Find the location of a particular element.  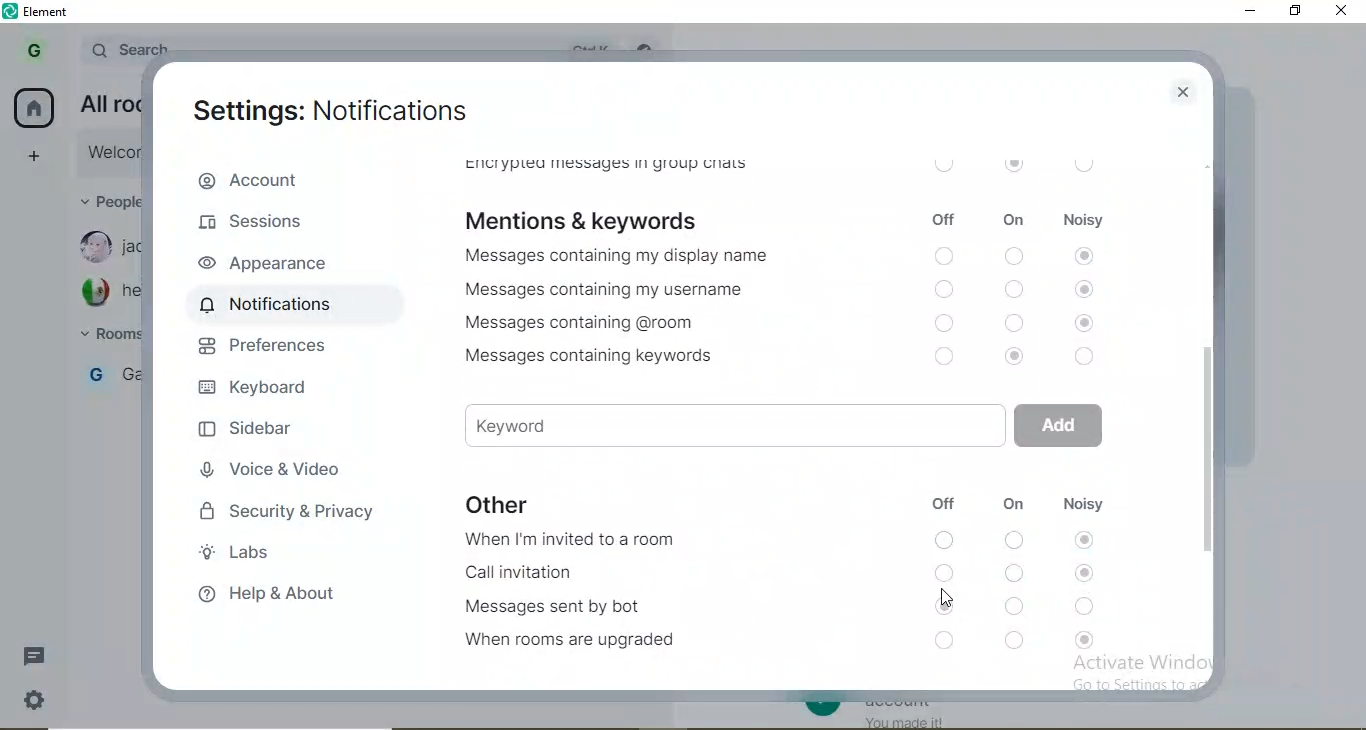

keyword is located at coordinates (733, 425).